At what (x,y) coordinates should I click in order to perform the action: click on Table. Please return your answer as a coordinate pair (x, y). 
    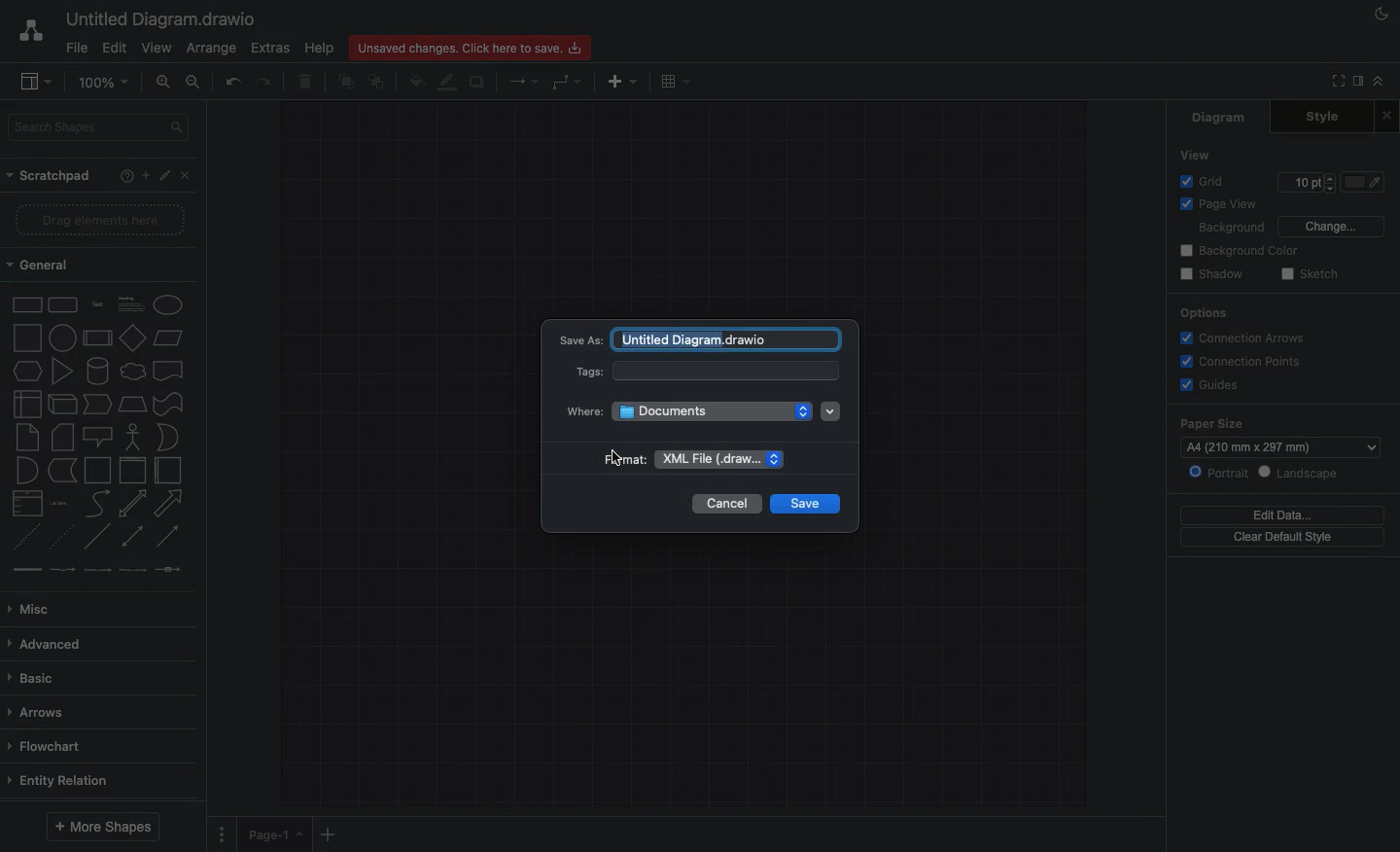
    Looking at the image, I should click on (676, 81).